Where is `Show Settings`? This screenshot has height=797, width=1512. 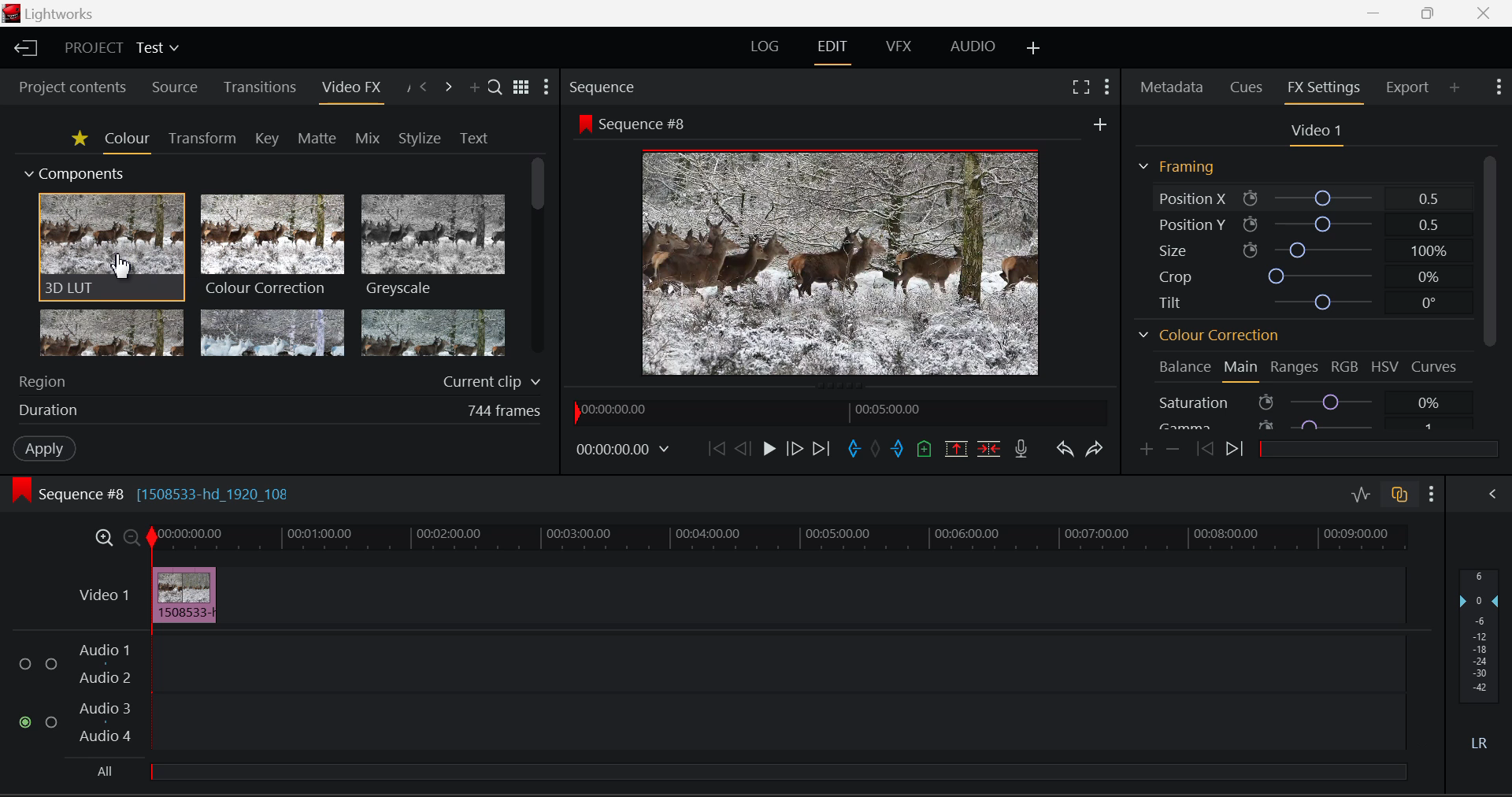 Show Settings is located at coordinates (548, 87).